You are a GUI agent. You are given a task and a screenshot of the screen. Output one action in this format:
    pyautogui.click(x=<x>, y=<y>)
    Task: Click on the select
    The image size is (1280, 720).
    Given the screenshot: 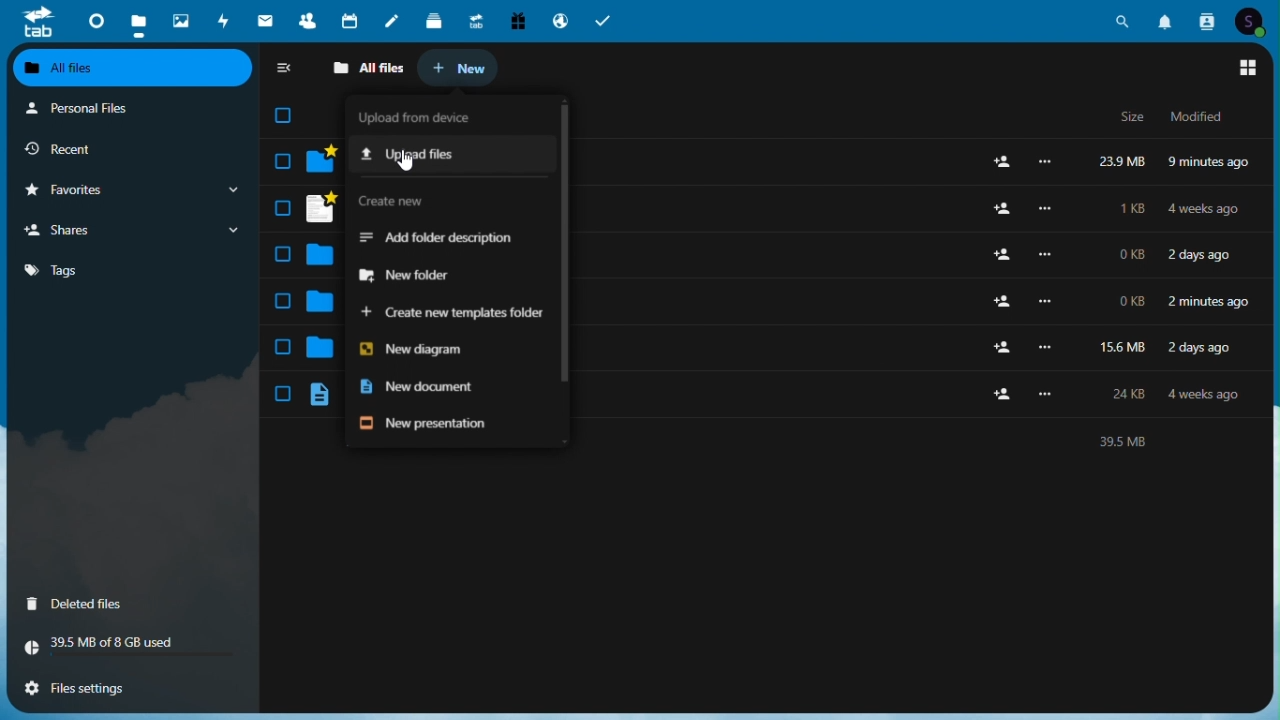 What is the action you would take?
    pyautogui.click(x=281, y=394)
    